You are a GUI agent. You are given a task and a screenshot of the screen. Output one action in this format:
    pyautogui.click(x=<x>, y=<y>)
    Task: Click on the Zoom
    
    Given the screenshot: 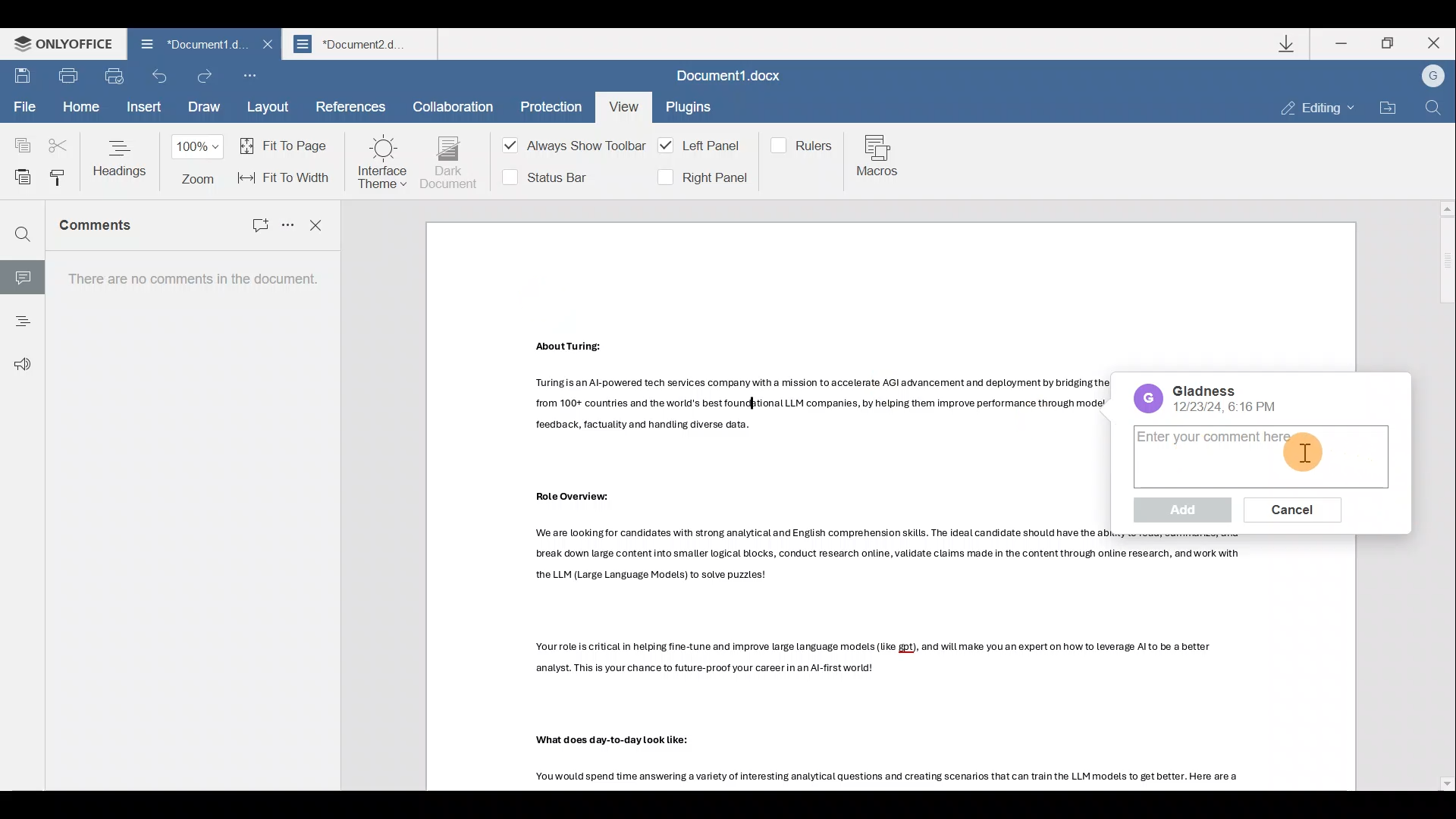 What is the action you would take?
    pyautogui.click(x=200, y=162)
    